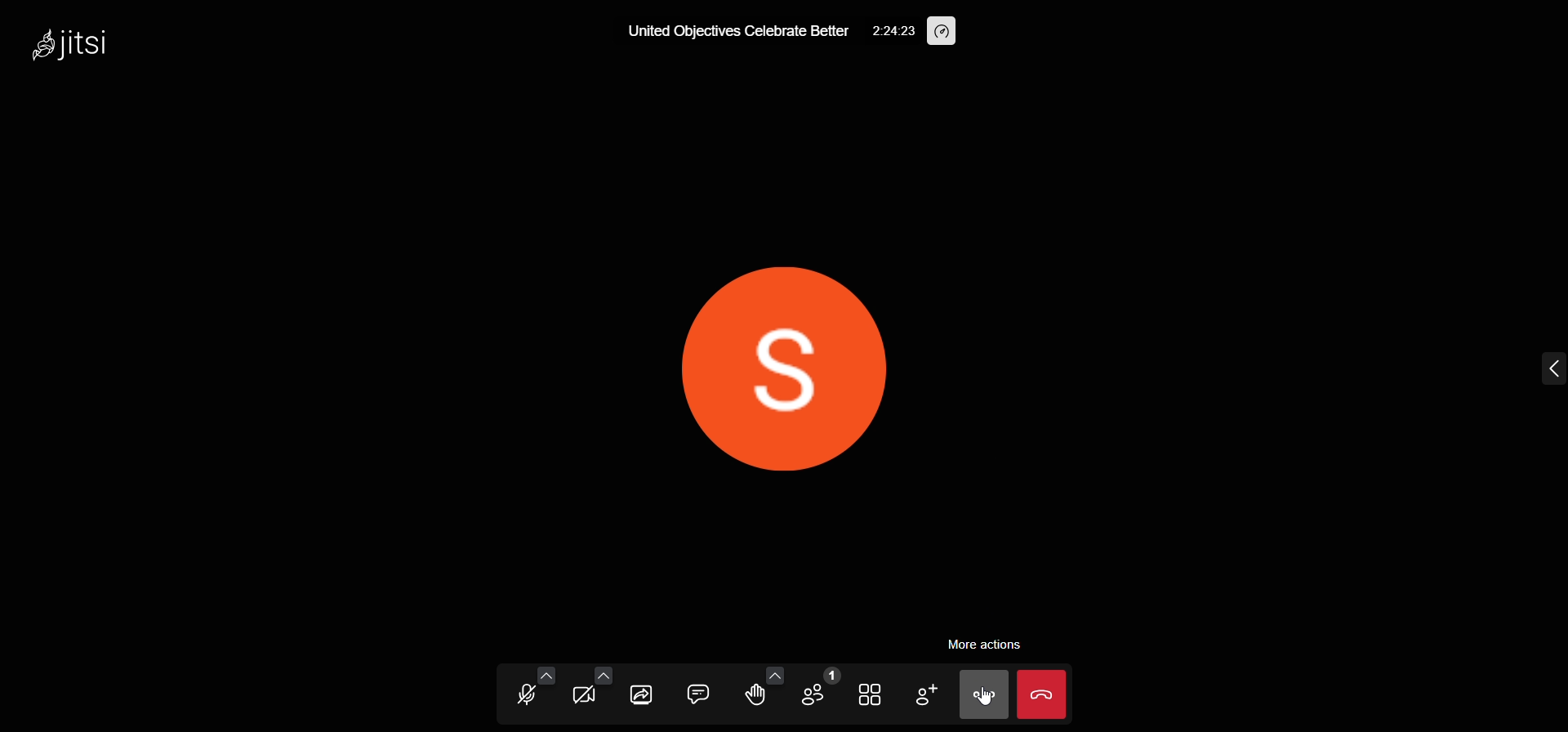  I want to click on share screen, so click(642, 695).